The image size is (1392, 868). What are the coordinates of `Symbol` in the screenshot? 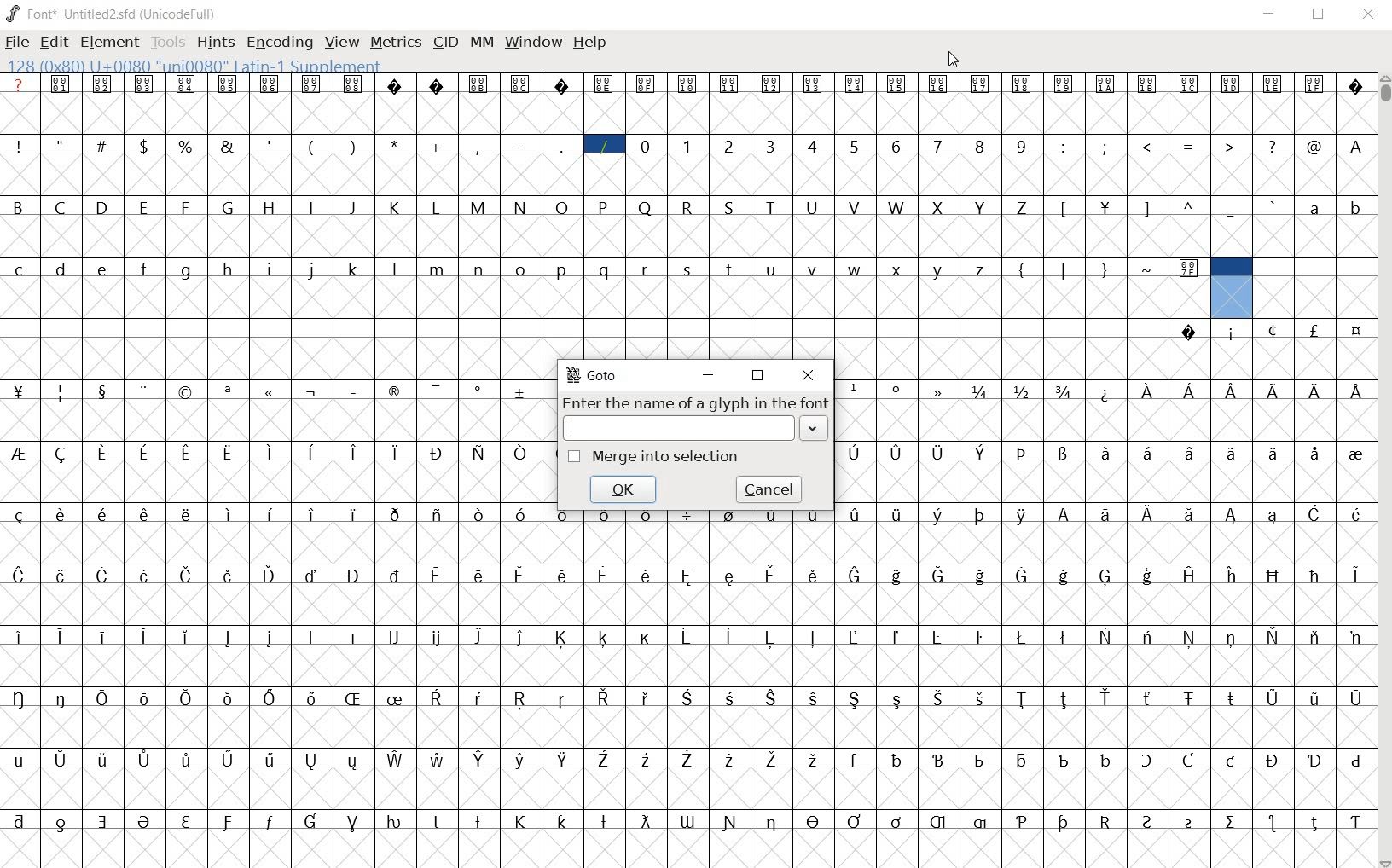 It's located at (561, 84).